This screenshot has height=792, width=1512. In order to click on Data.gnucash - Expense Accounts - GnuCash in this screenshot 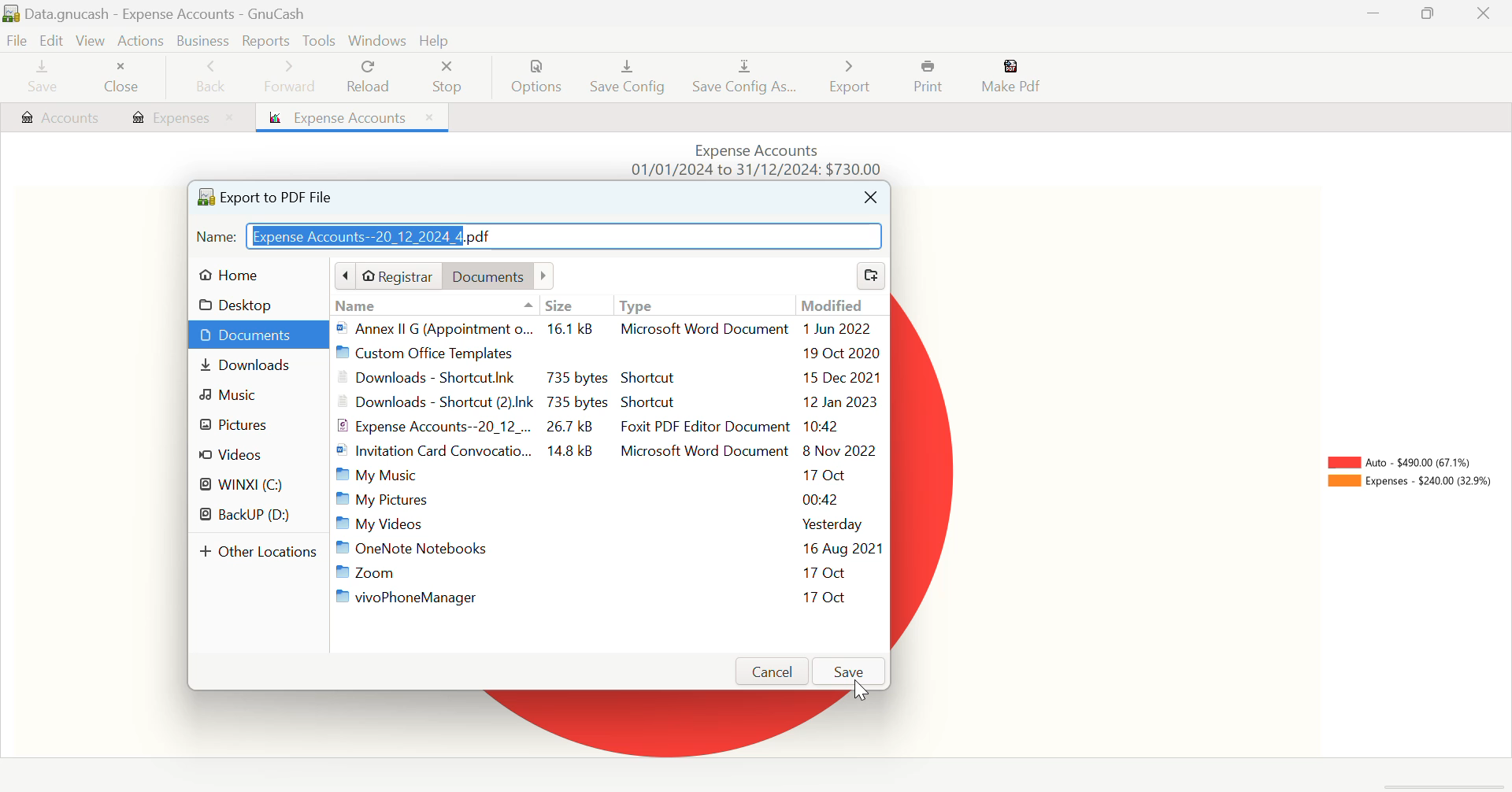, I will do `click(161, 13)`.